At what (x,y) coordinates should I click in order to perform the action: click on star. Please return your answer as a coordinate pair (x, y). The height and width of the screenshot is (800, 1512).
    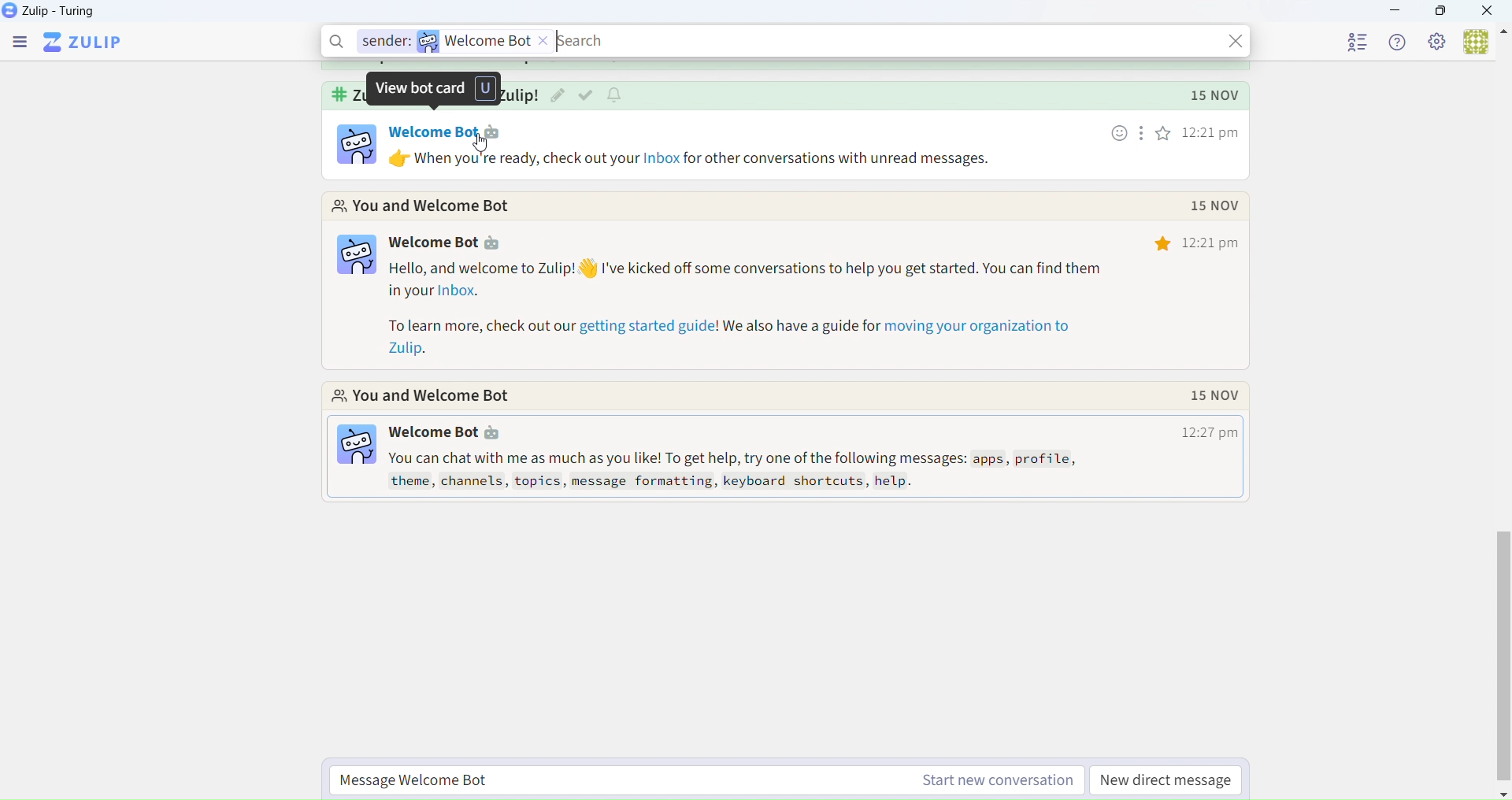
    Looking at the image, I should click on (1163, 246).